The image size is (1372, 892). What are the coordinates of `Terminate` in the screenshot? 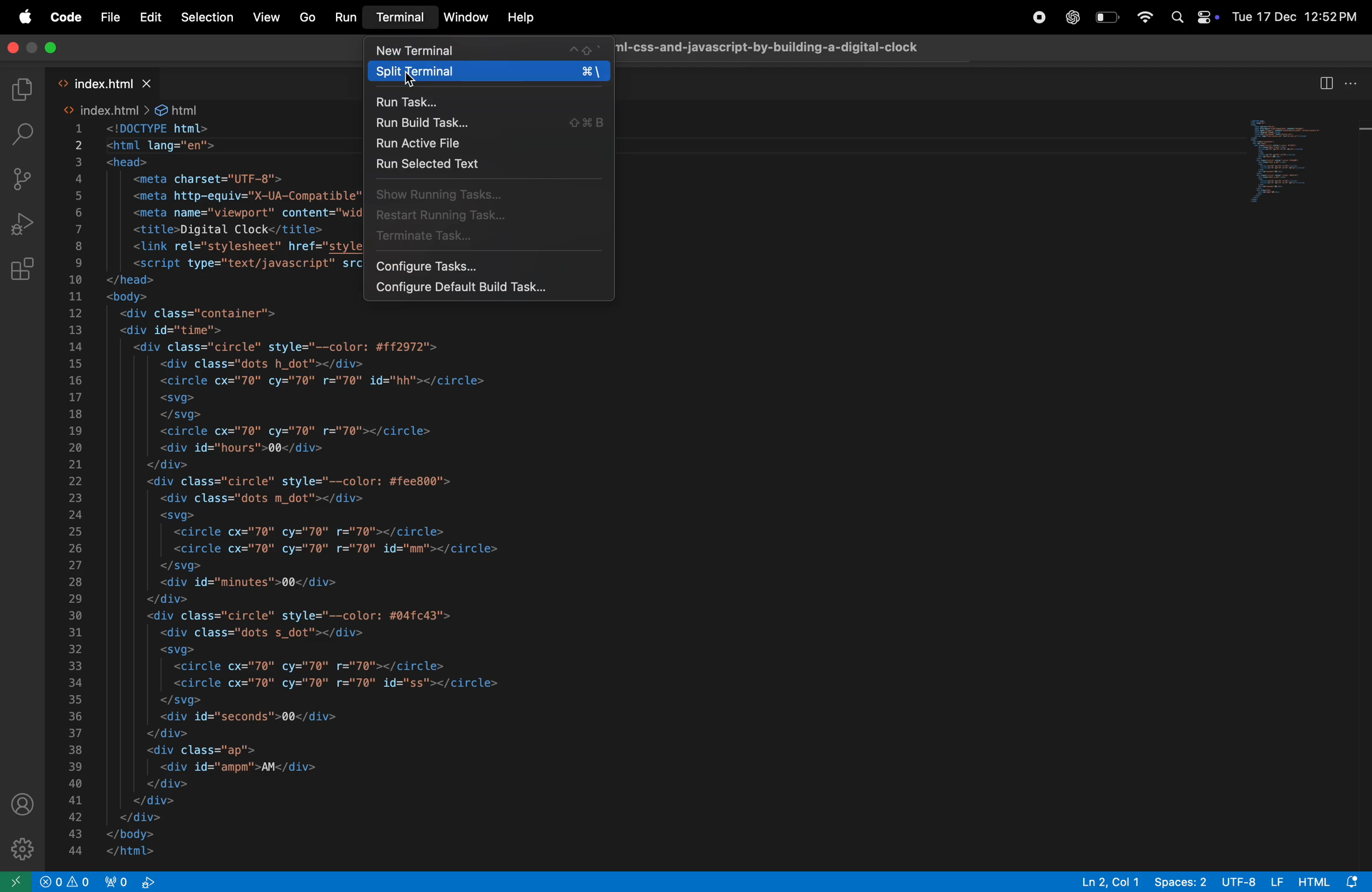 It's located at (492, 239).